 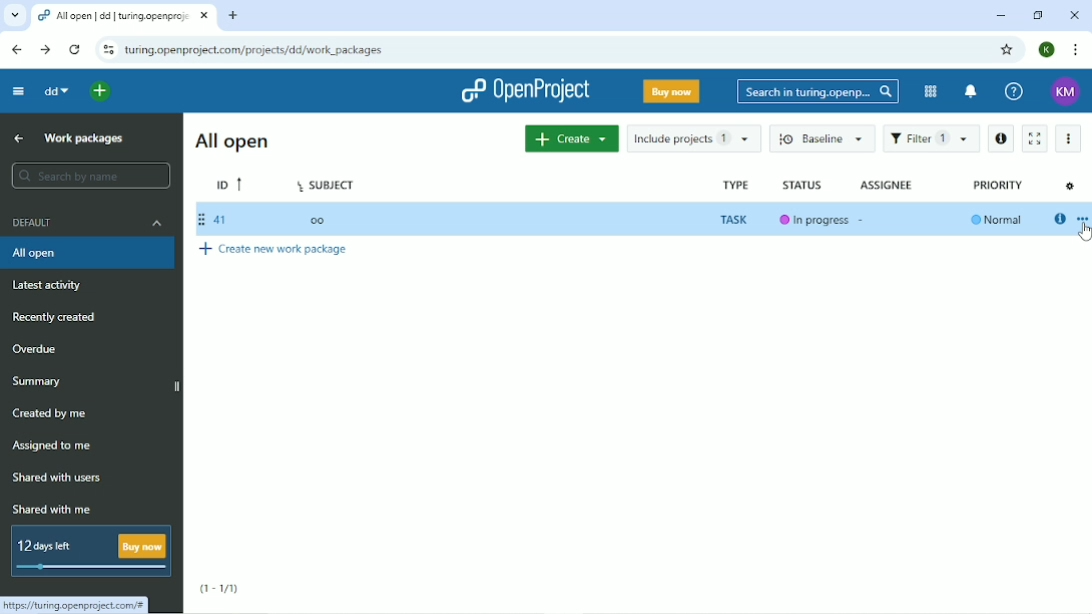 What do you see at coordinates (45, 50) in the screenshot?
I see `Forward` at bounding box center [45, 50].